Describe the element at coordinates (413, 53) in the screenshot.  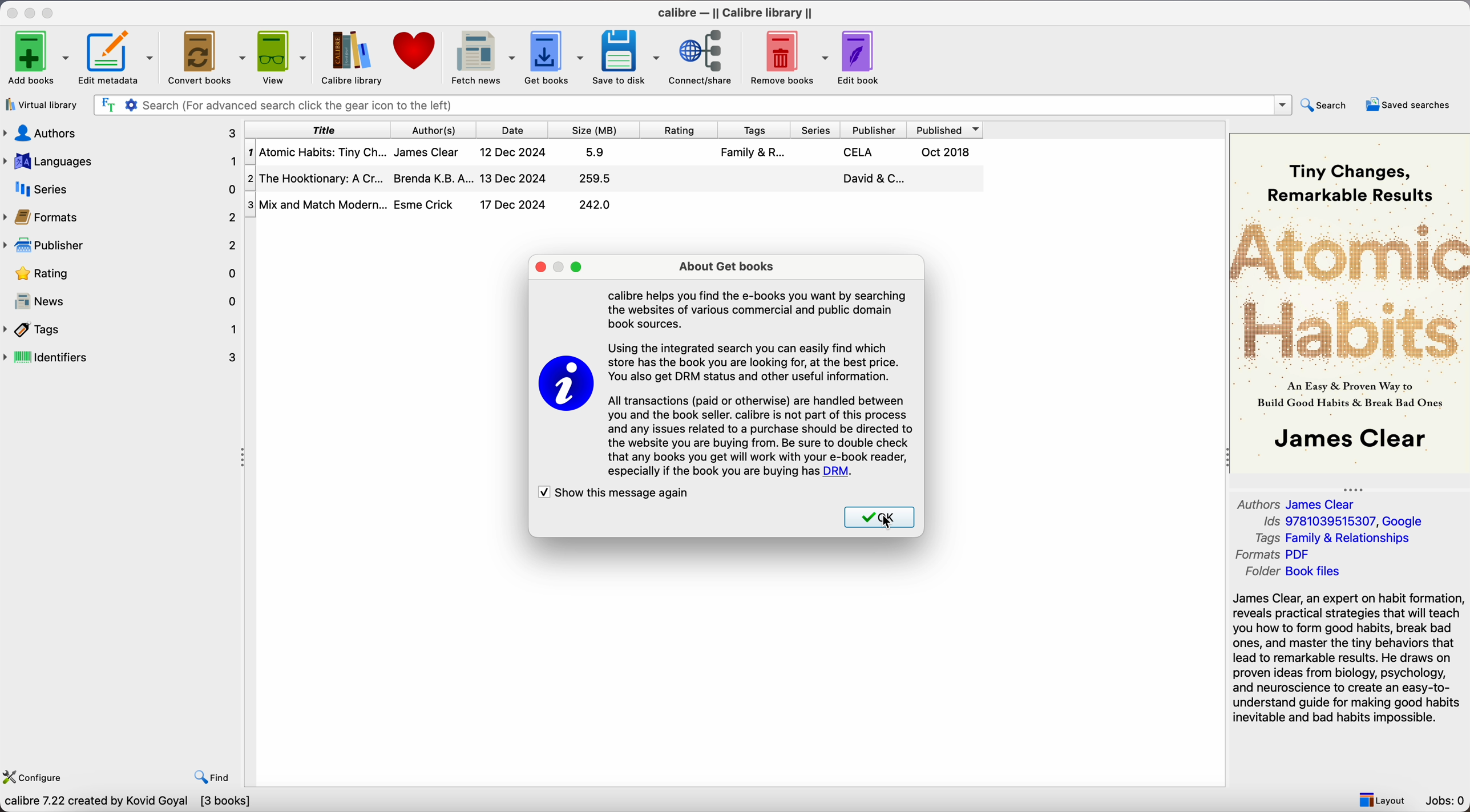
I see `donate` at that location.